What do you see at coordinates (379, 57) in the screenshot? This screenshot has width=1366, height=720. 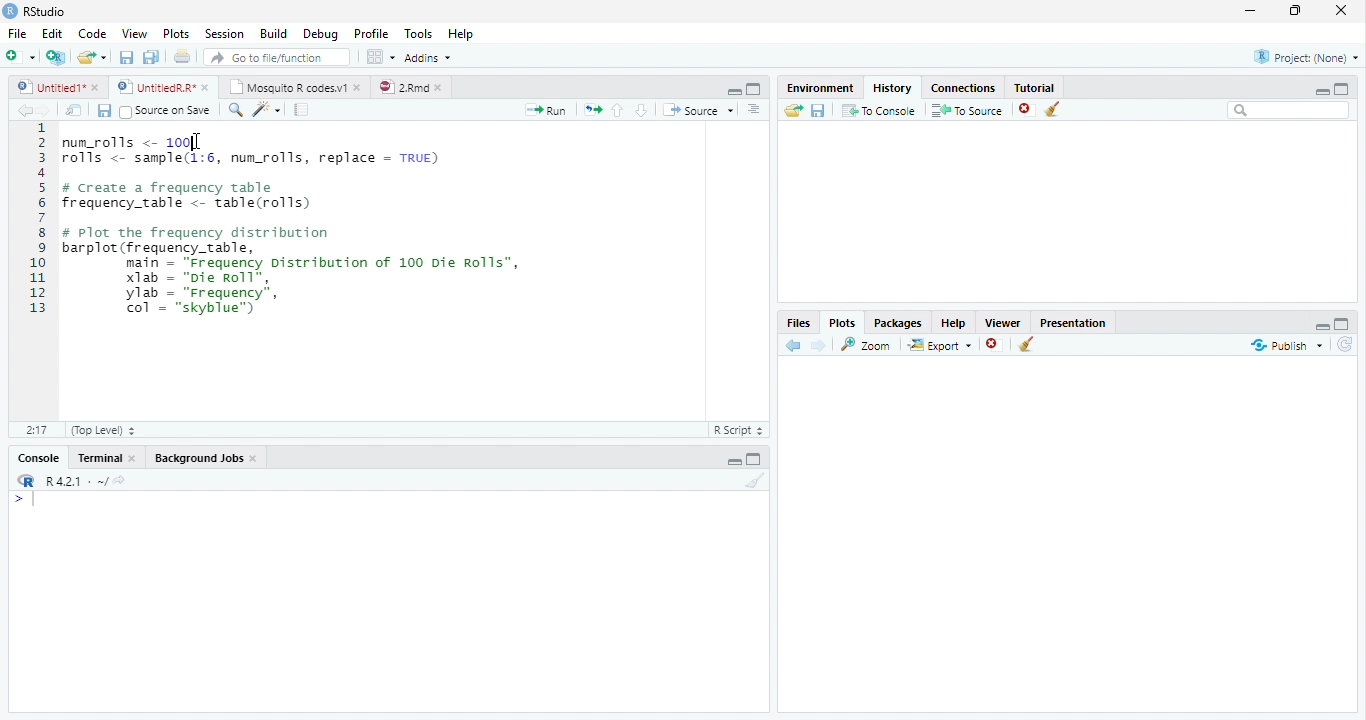 I see `Workspace panes` at bounding box center [379, 57].